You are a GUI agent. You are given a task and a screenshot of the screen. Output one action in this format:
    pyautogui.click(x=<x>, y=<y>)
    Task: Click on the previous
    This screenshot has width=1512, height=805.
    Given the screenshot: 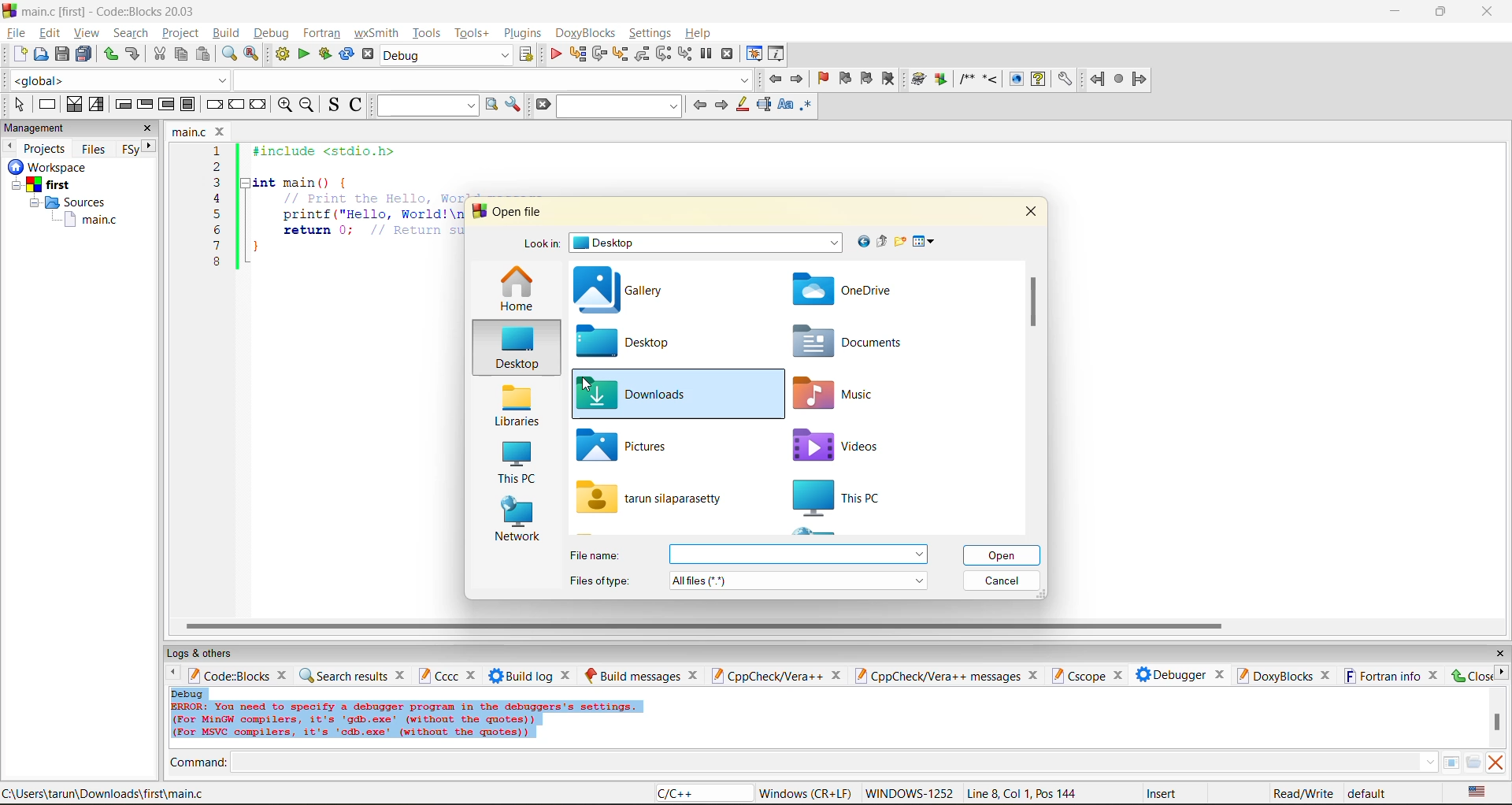 What is the action you would take?
    pyautogui.click(x=699, y=105)
    